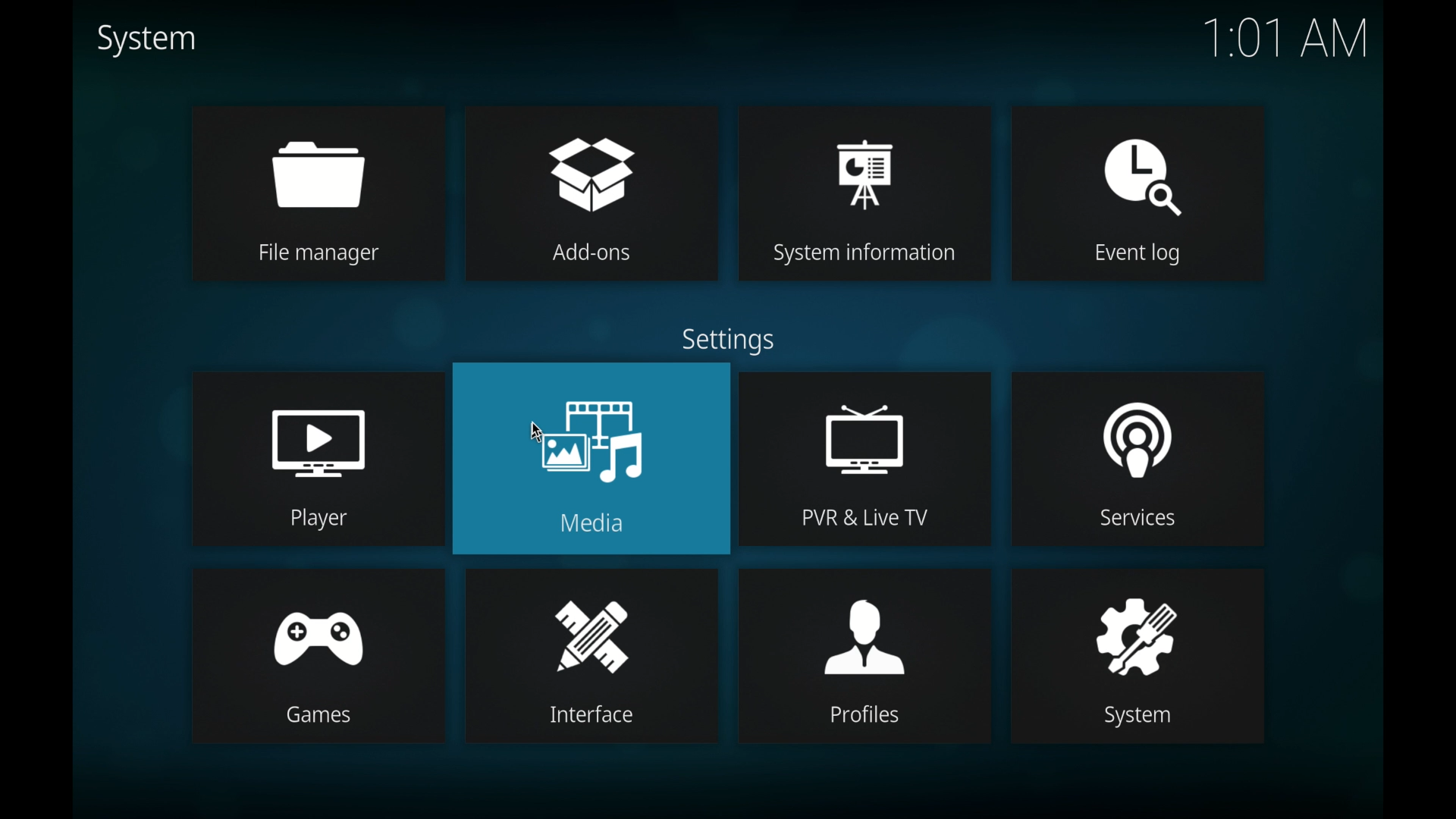 Image resolution: width=1456 pixels, height=819 pixels. What do you see at coordinates (317, 162) in the screenshot?
I see `file manager` at bounding box center [317, 162].